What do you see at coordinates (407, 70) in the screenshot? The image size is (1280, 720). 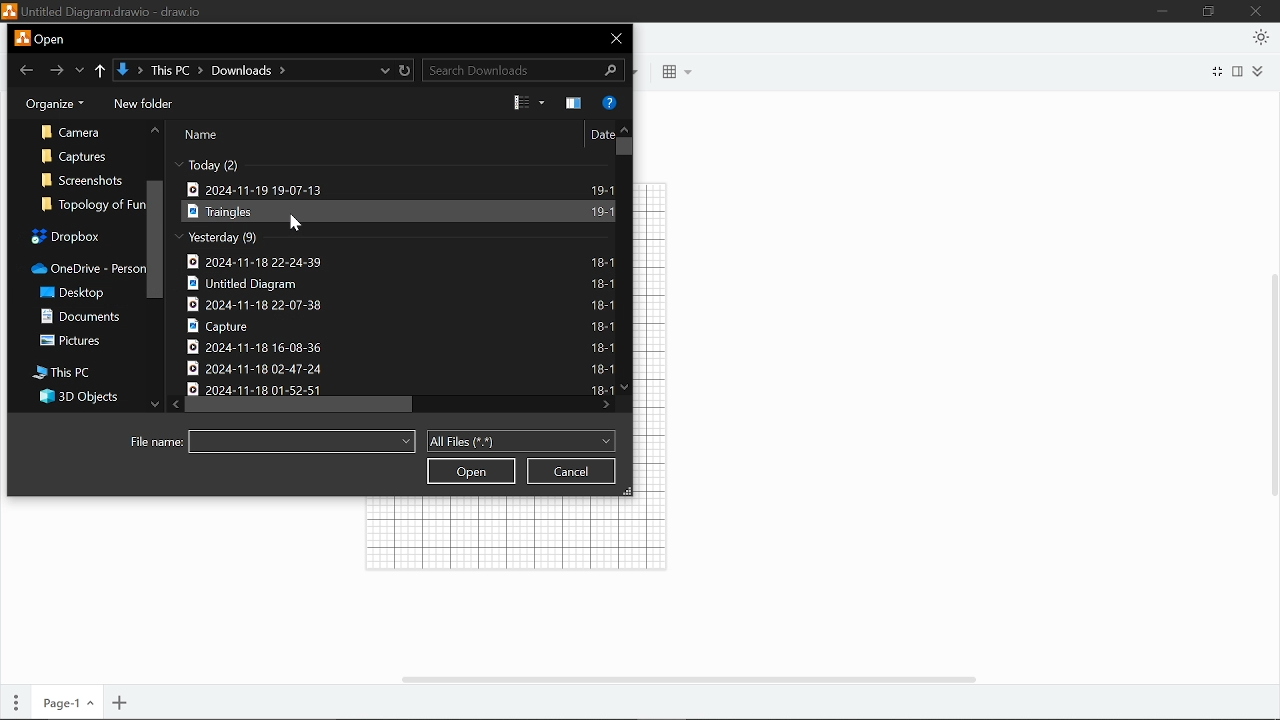 I see `Refresh` at bounding box center [407, 70].